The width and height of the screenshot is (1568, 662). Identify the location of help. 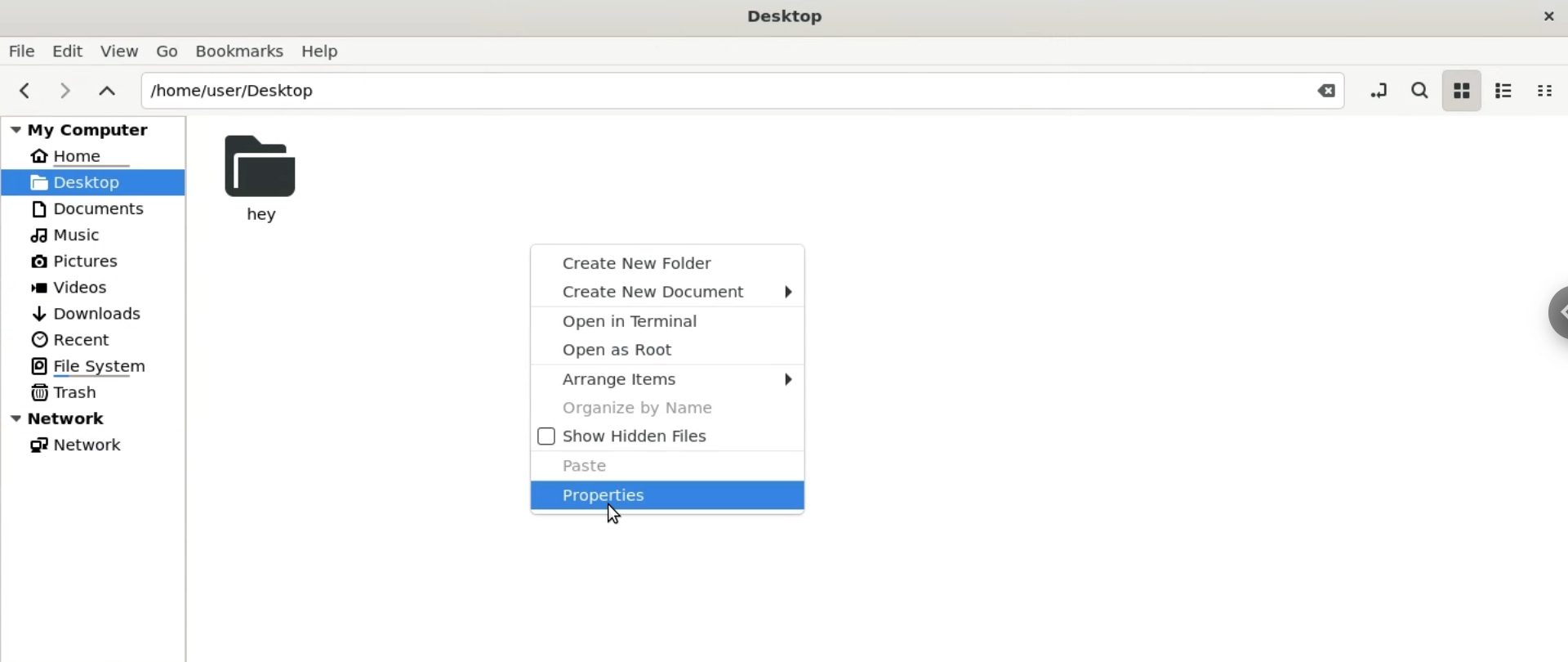
(330, 51).